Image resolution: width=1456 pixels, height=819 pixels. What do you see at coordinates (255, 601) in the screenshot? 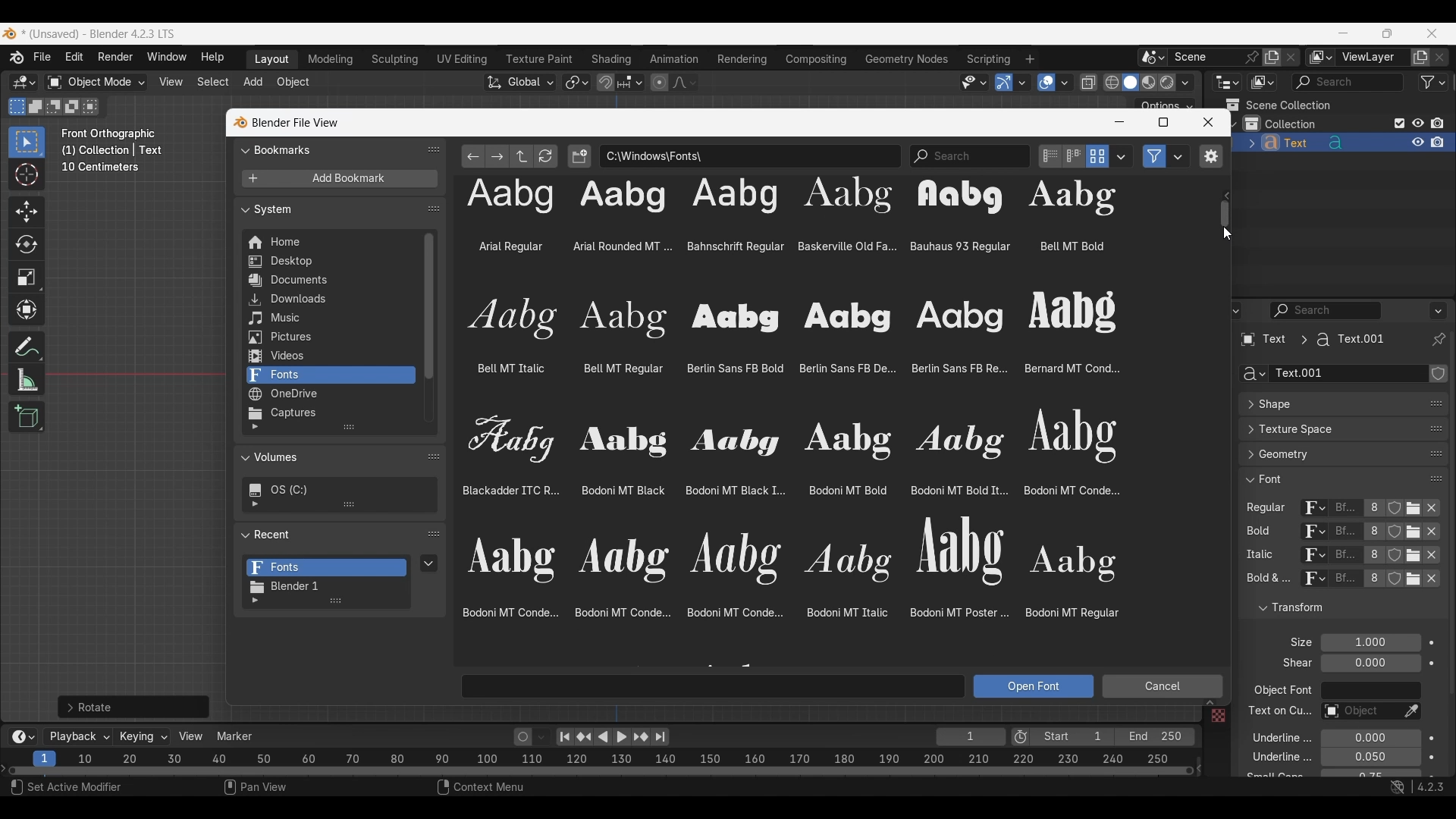
I see `Show filtering options` at bounding box center [255, 601].